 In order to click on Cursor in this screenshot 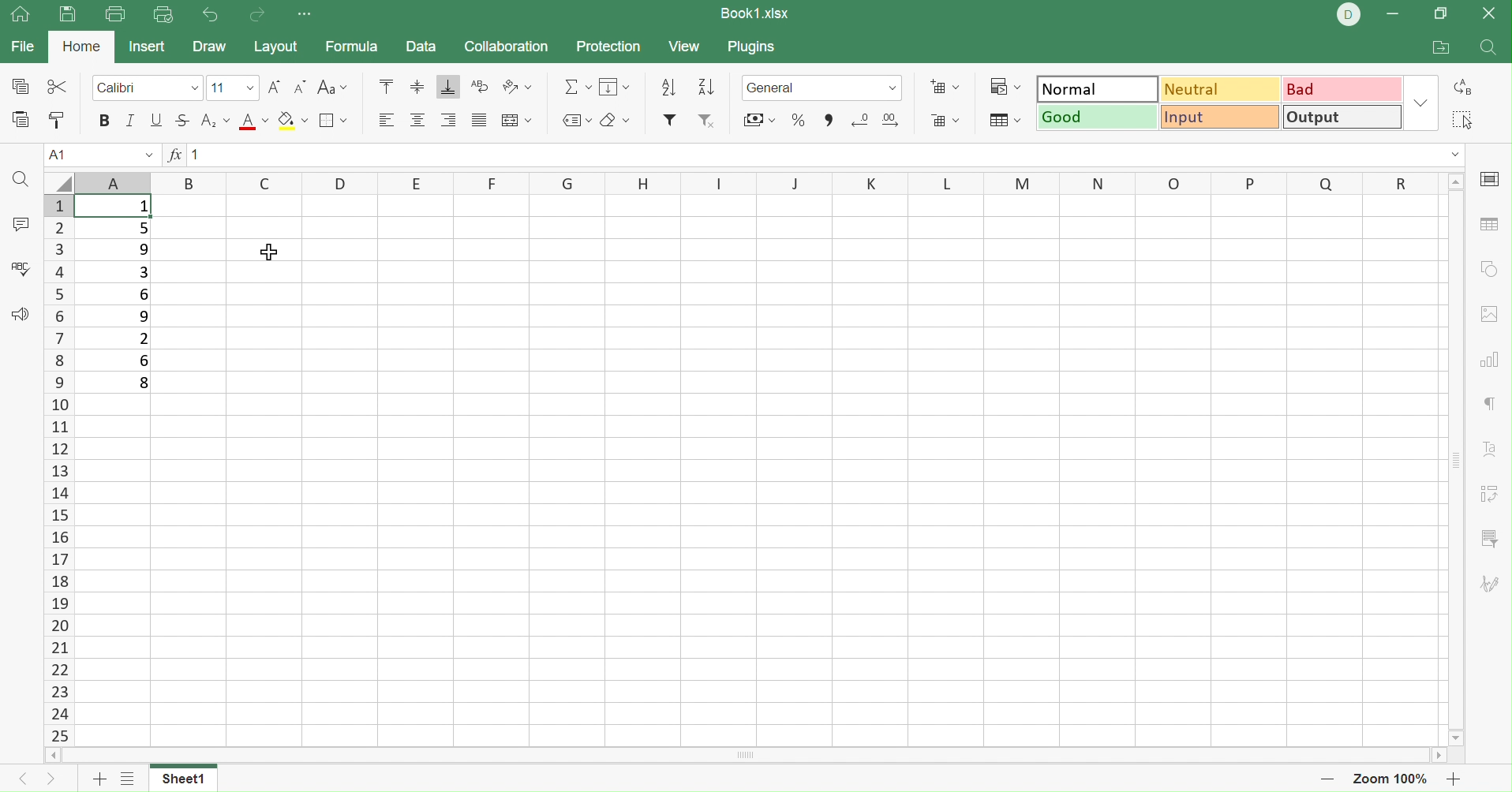, I will do `click(272, 252)`.